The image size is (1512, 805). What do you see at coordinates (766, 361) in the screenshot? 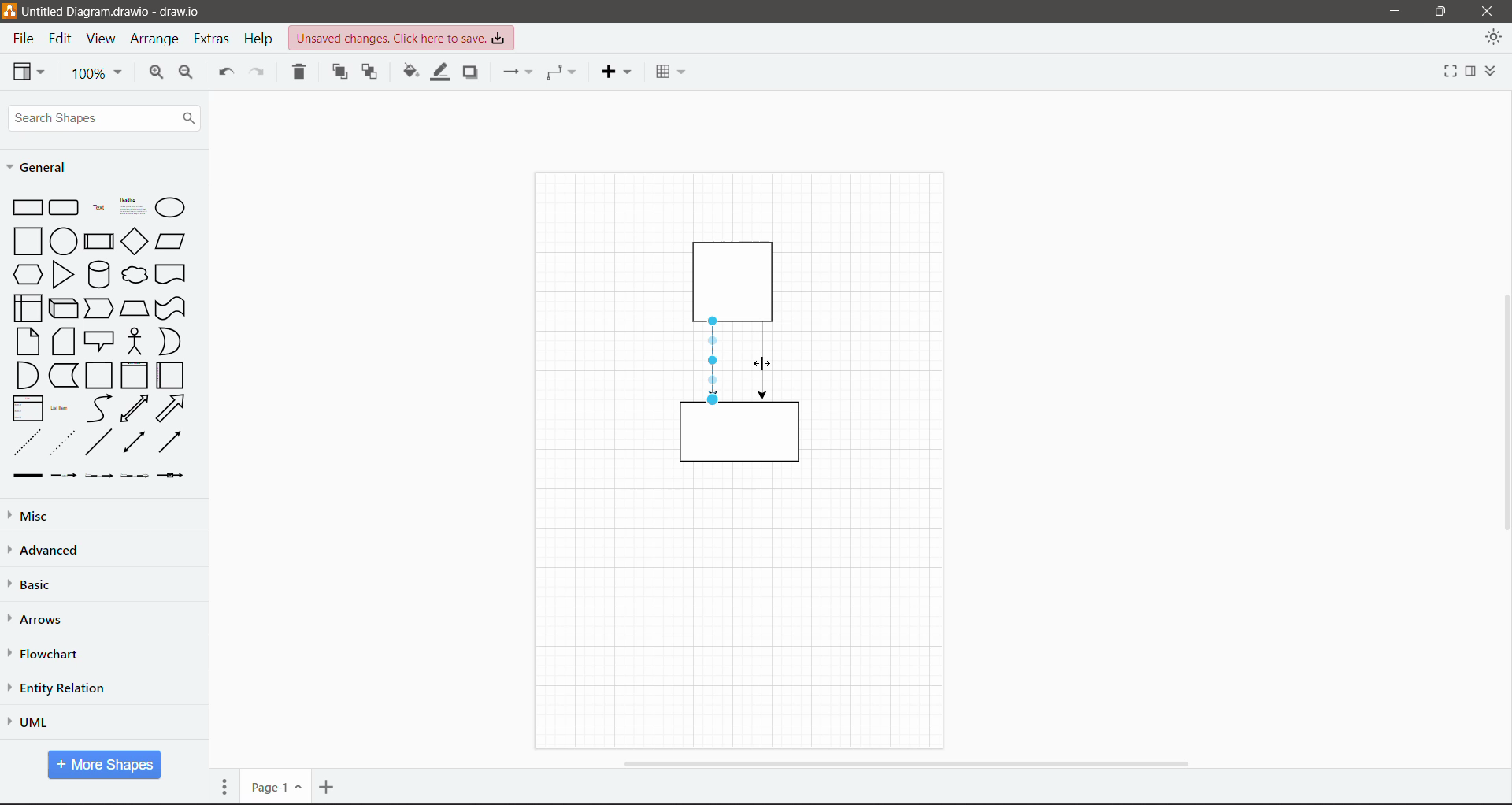
I see `cursor` at bounding box center [766, 361].